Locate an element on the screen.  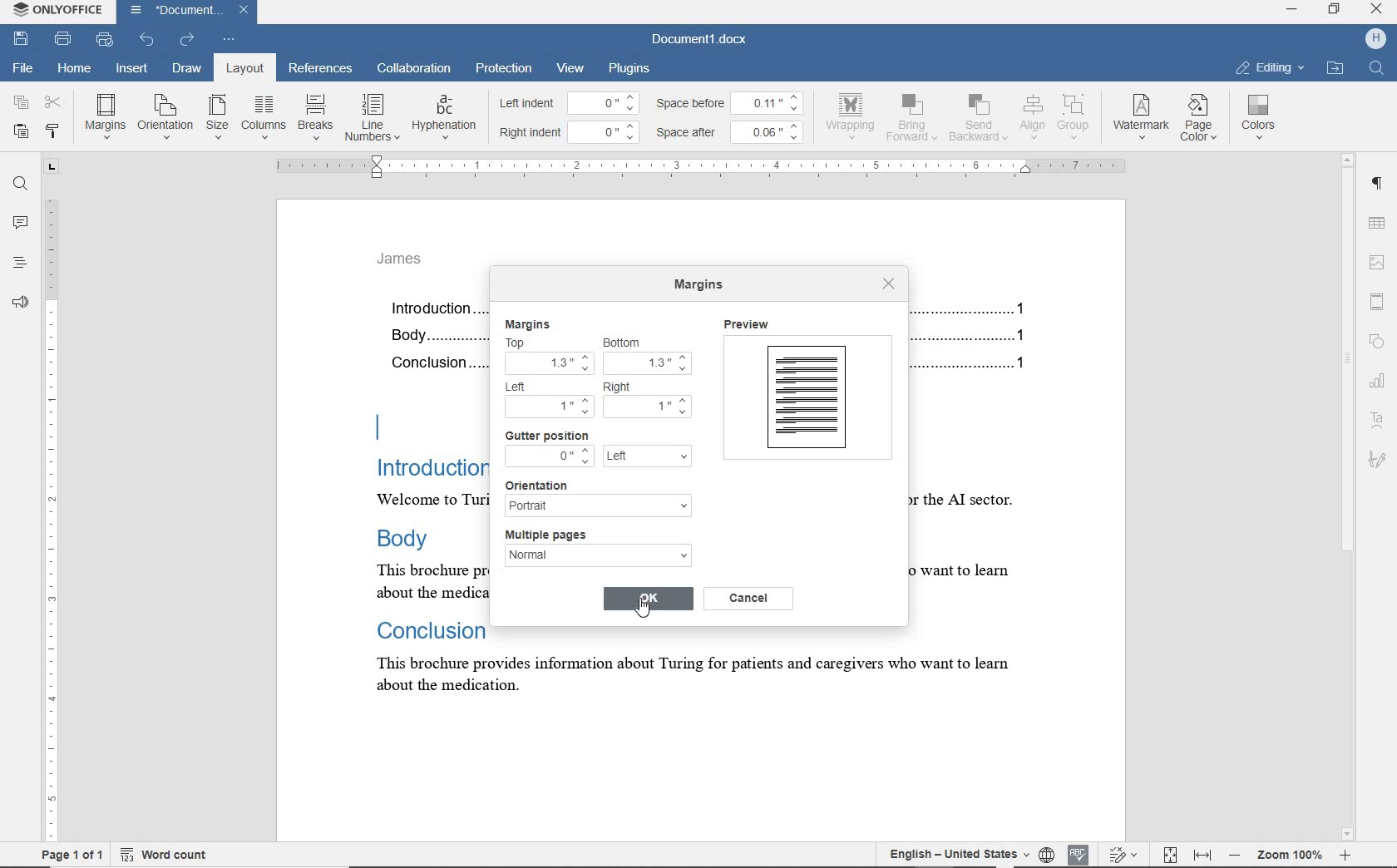
1 is located at coordinates (647, 404).